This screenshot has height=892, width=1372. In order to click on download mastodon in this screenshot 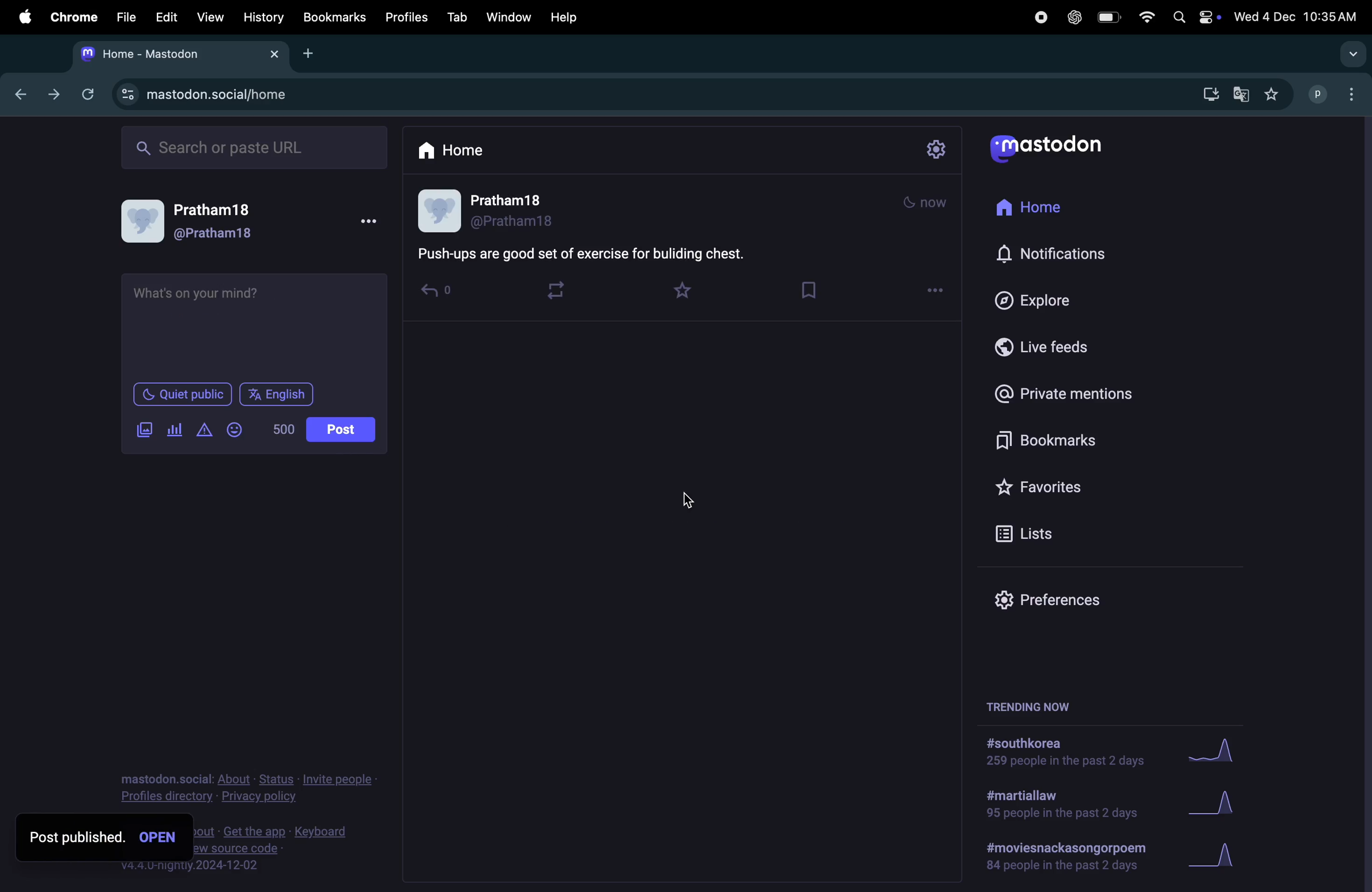, I will do `click(1206, 95)`.